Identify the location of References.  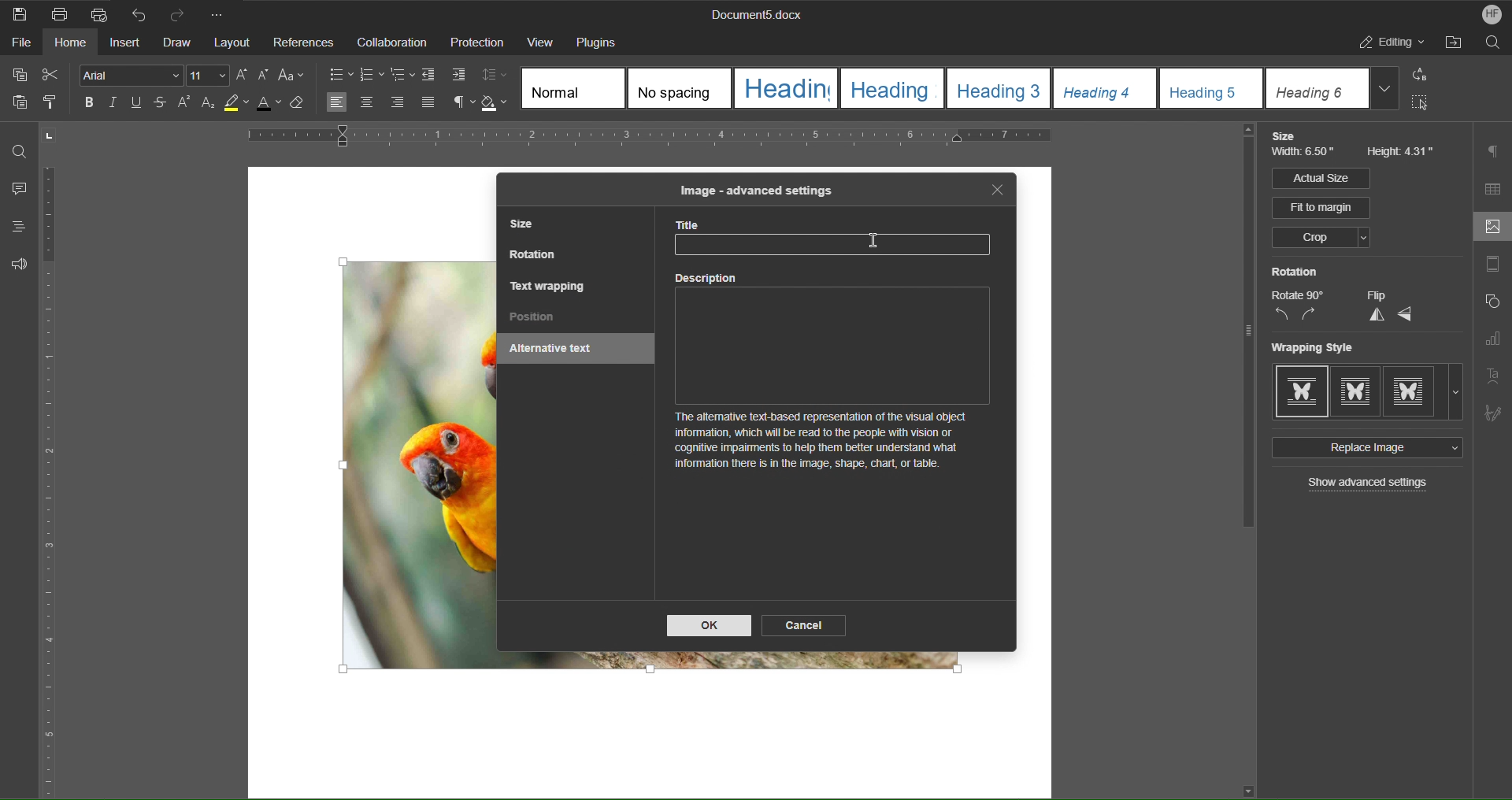
(303, 43).